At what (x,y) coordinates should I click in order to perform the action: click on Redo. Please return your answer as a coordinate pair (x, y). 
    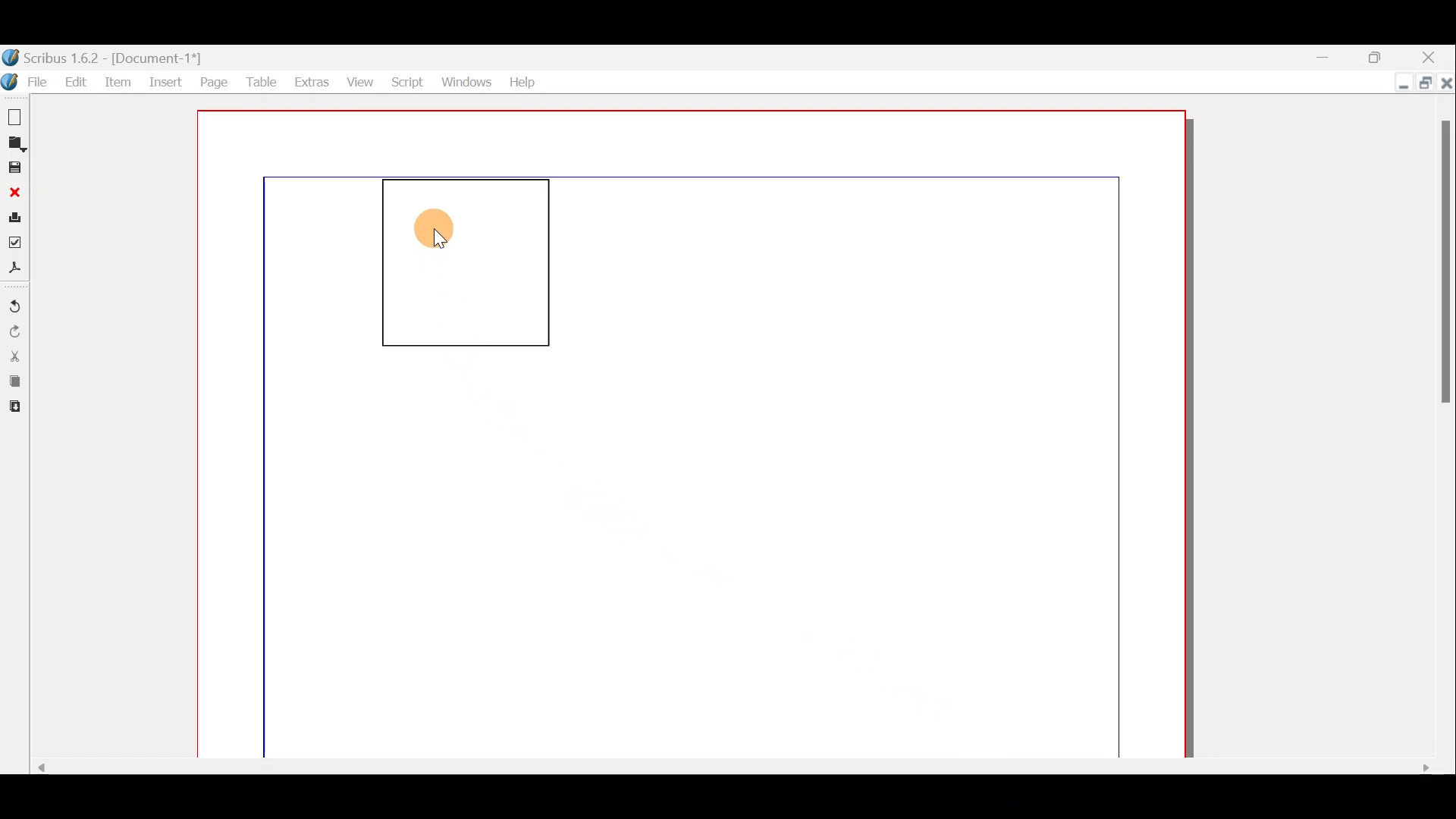
    Looking at the image, I should click on (14, 332).